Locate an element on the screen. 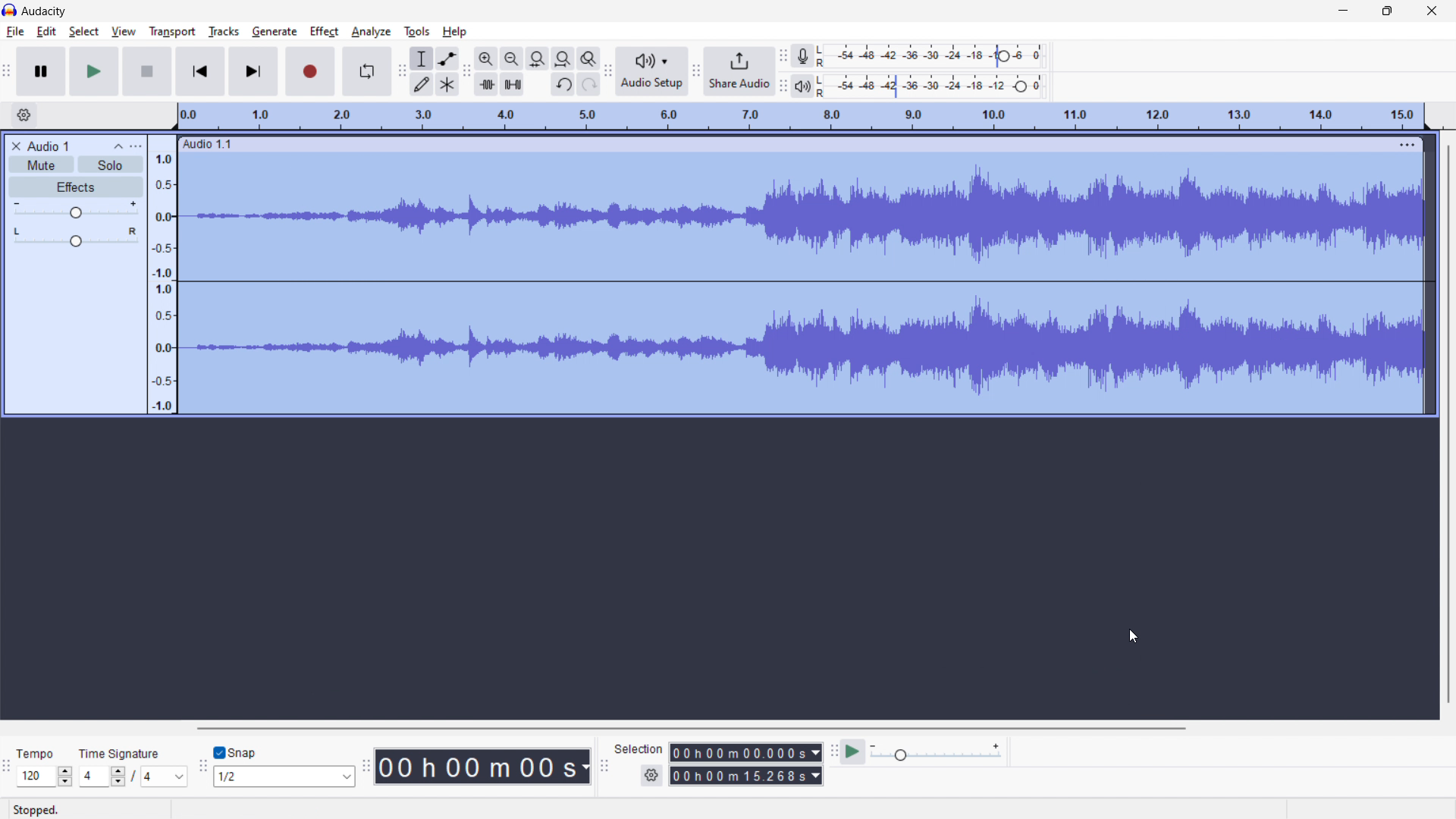 This screenshot has height=819, width=1456. collapse is located at coordinates (119, 147).